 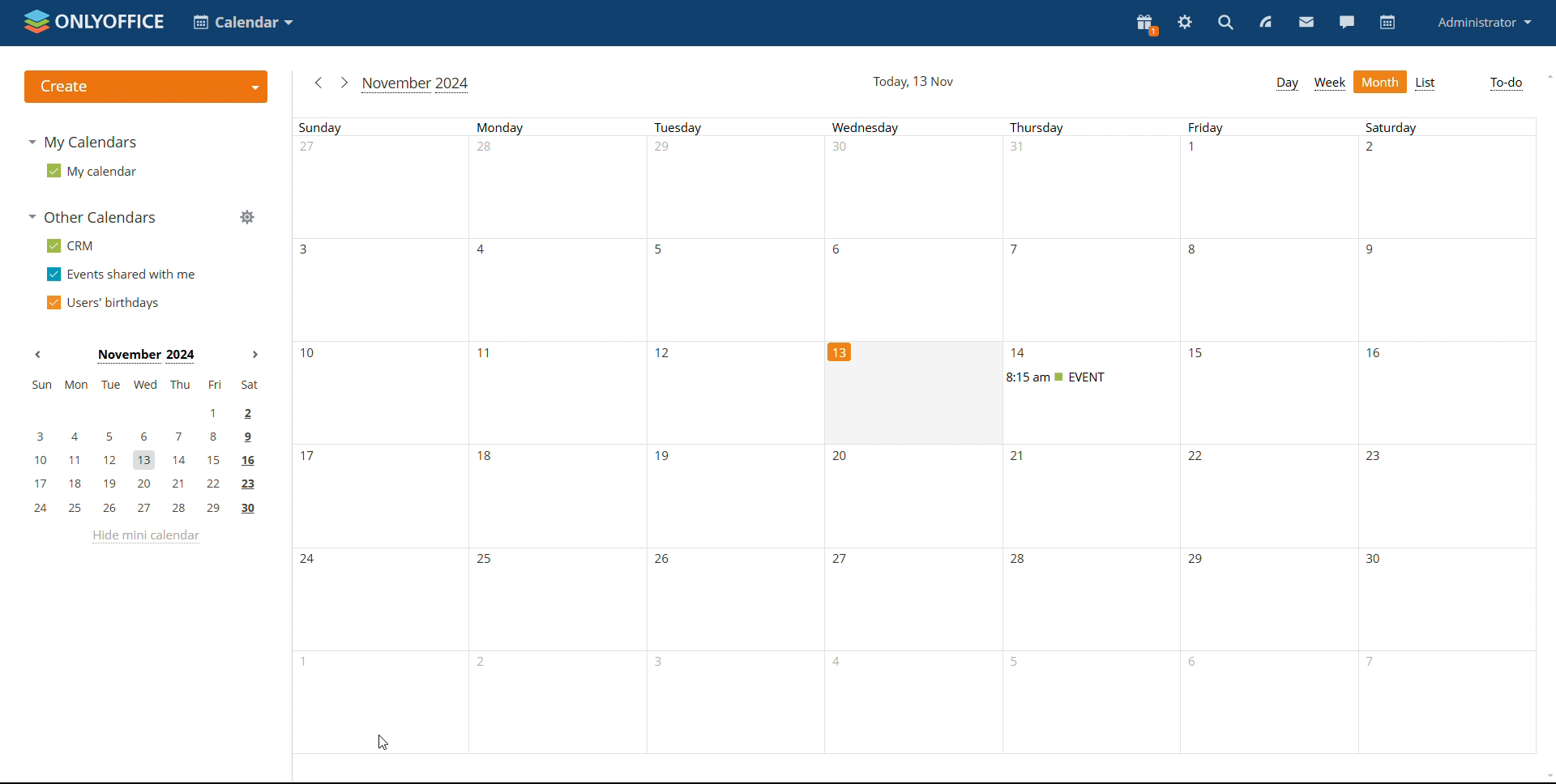 What do you see at coordinates (1370, 394) in the screenshot?
I see `dates of the month` at bounding box center [1370, 394].